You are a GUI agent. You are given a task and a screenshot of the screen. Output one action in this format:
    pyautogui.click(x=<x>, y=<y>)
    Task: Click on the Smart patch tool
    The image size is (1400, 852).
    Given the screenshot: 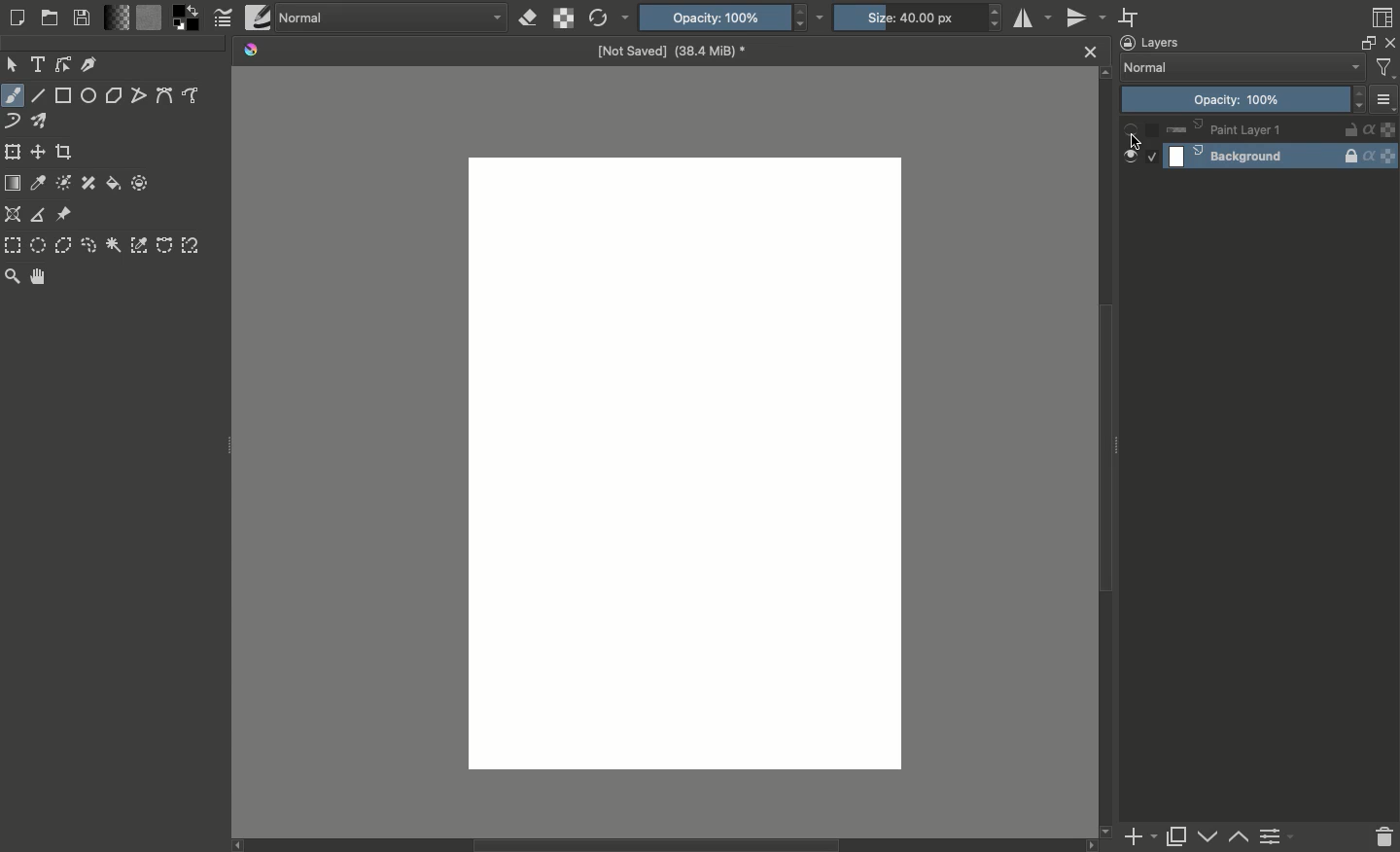 What is the action you would take?
    pyautogui.click(x=90, y=185)
    